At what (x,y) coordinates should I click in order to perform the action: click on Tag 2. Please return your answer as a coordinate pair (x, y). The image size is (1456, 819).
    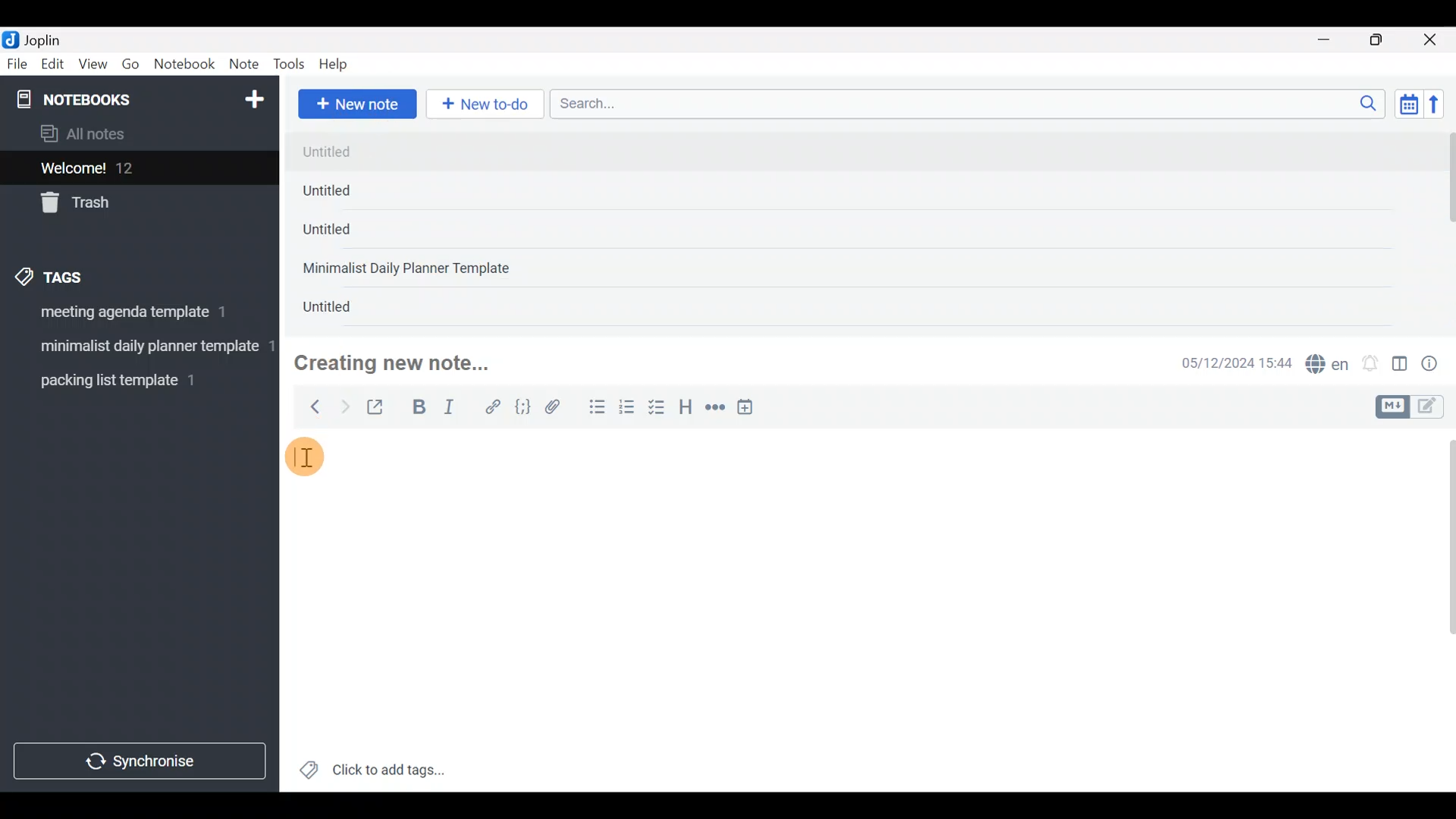
    Looking at the image, I should click on (133, 348).